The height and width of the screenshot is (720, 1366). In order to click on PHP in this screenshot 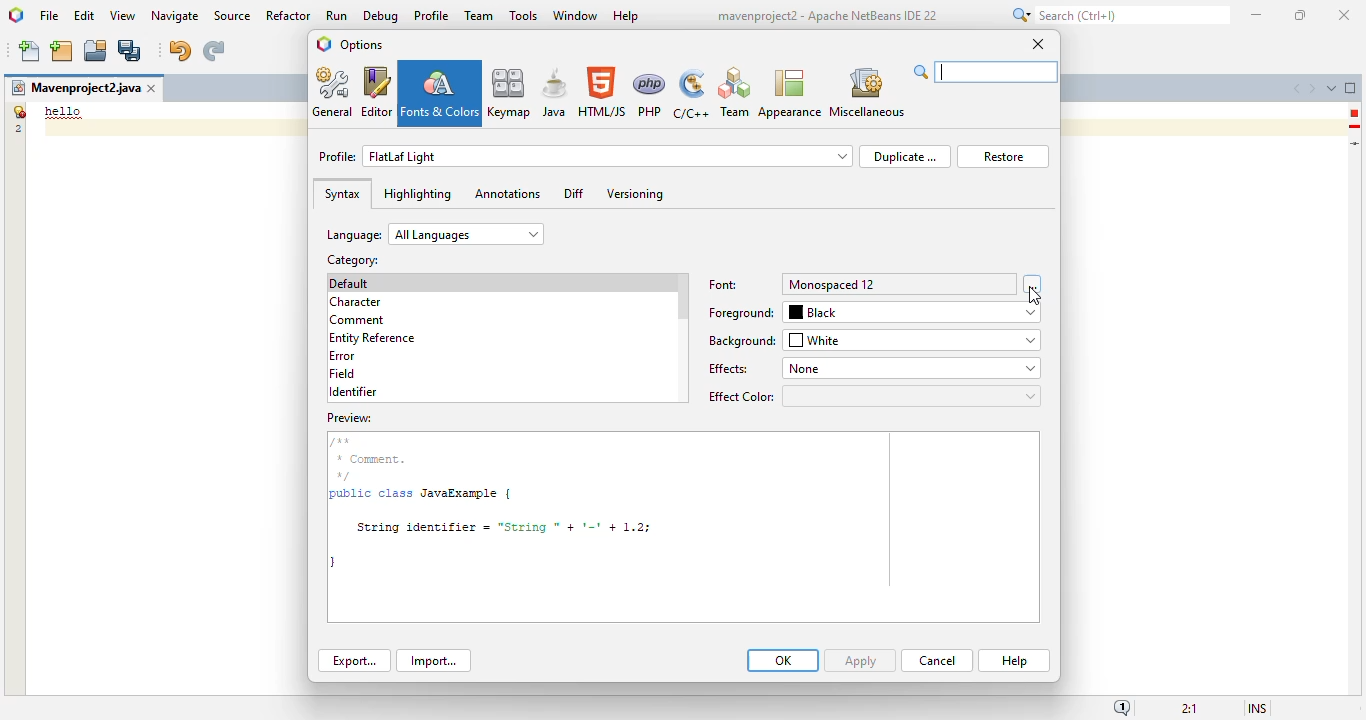, I will do `click(650, 94)`.